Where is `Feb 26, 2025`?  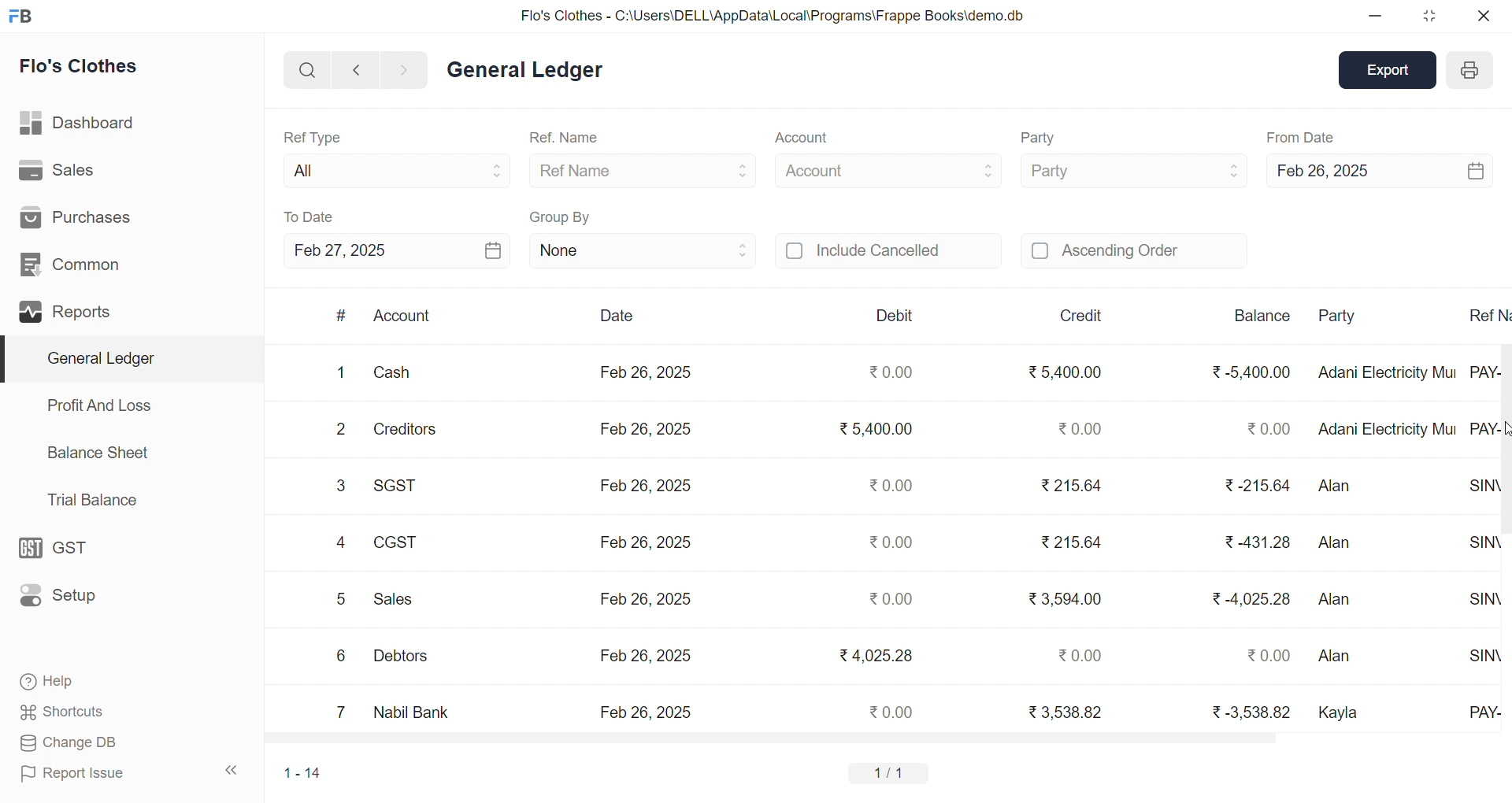
Feb 26, 2025 is located at coordinates (649, 487).